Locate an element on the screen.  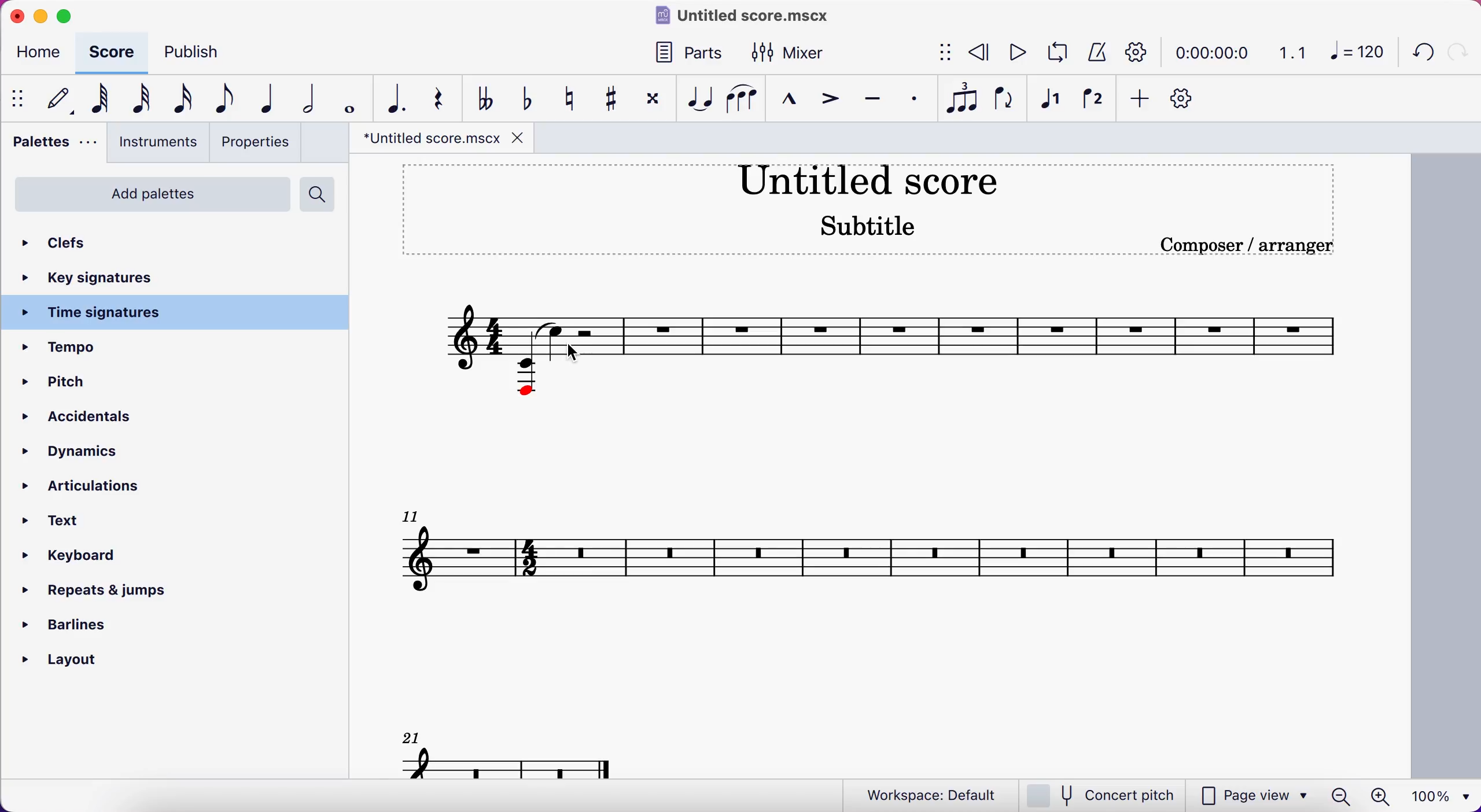
show/hide bar options is located at coordinates (20, 100).